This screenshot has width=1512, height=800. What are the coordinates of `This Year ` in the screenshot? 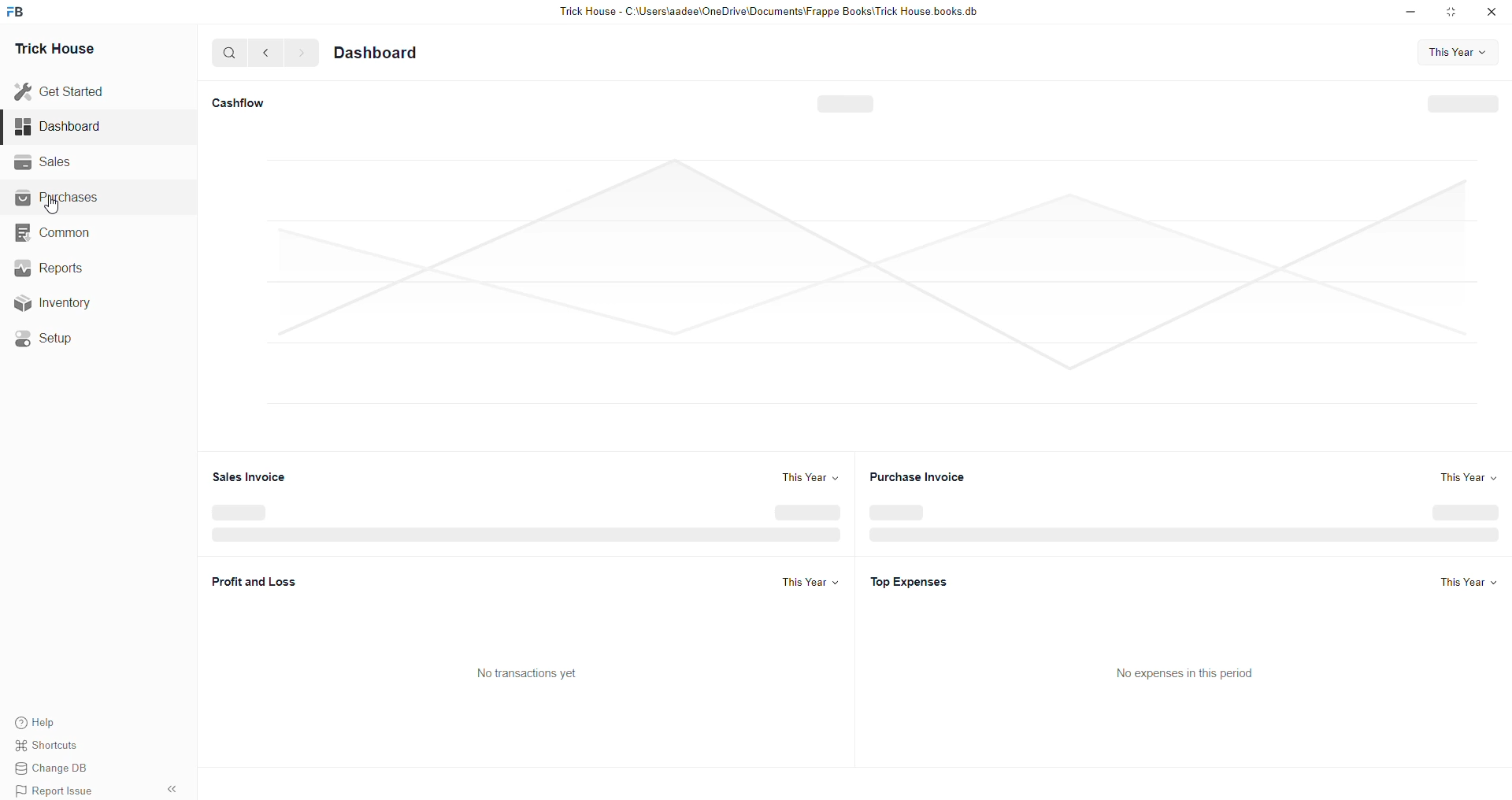 It's located at (812, 476).